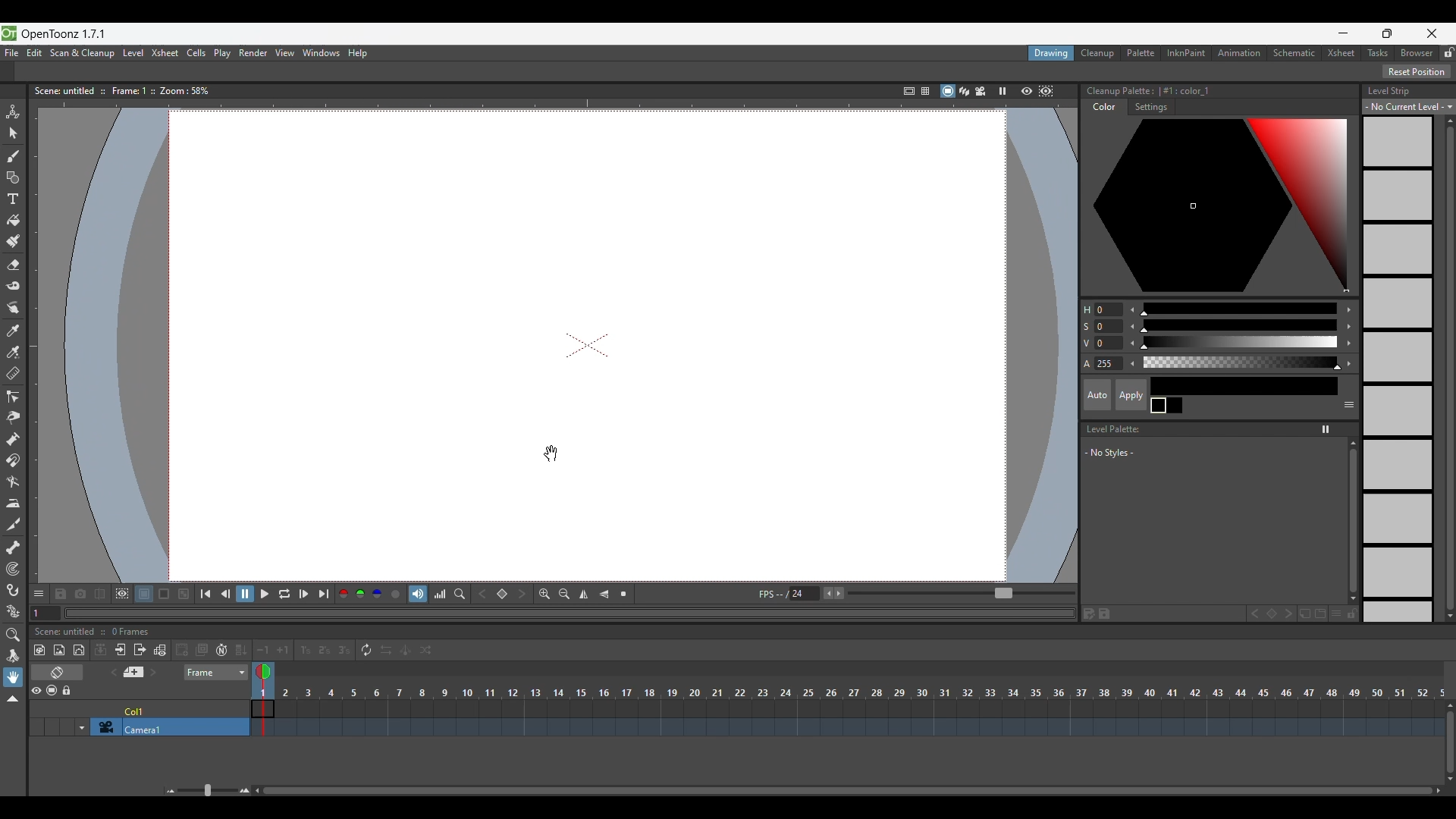 Image resolution: width=1456 pixels, height=819 pixels. What do you see at coordinates (344, 591) in the screenshot?
I see `Red channel` at bounding box center [344, 591].